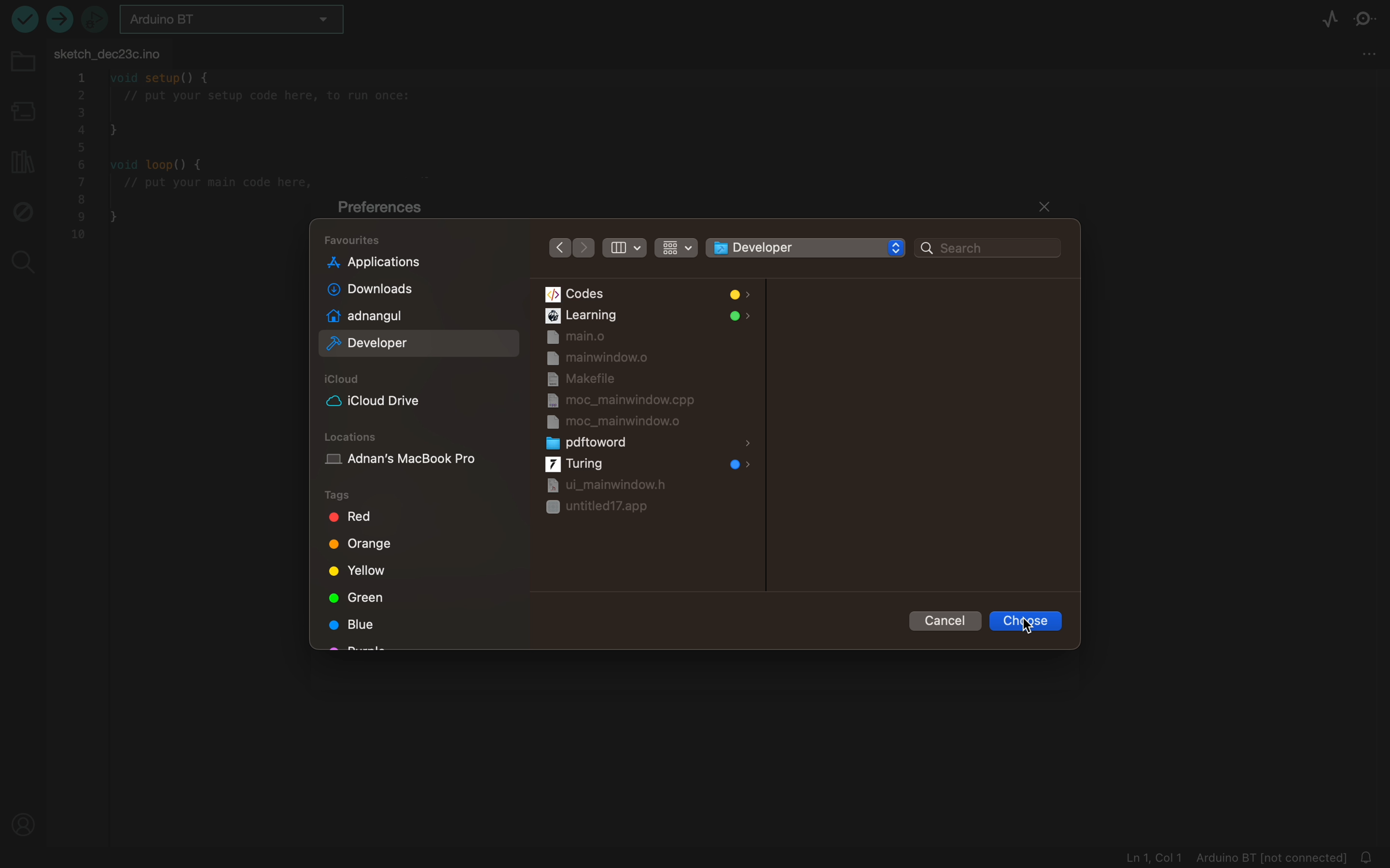 The image size is (1390, 868). Describe the element at coordinates (64, 18) in the screenshot. I see `upload` at that location.